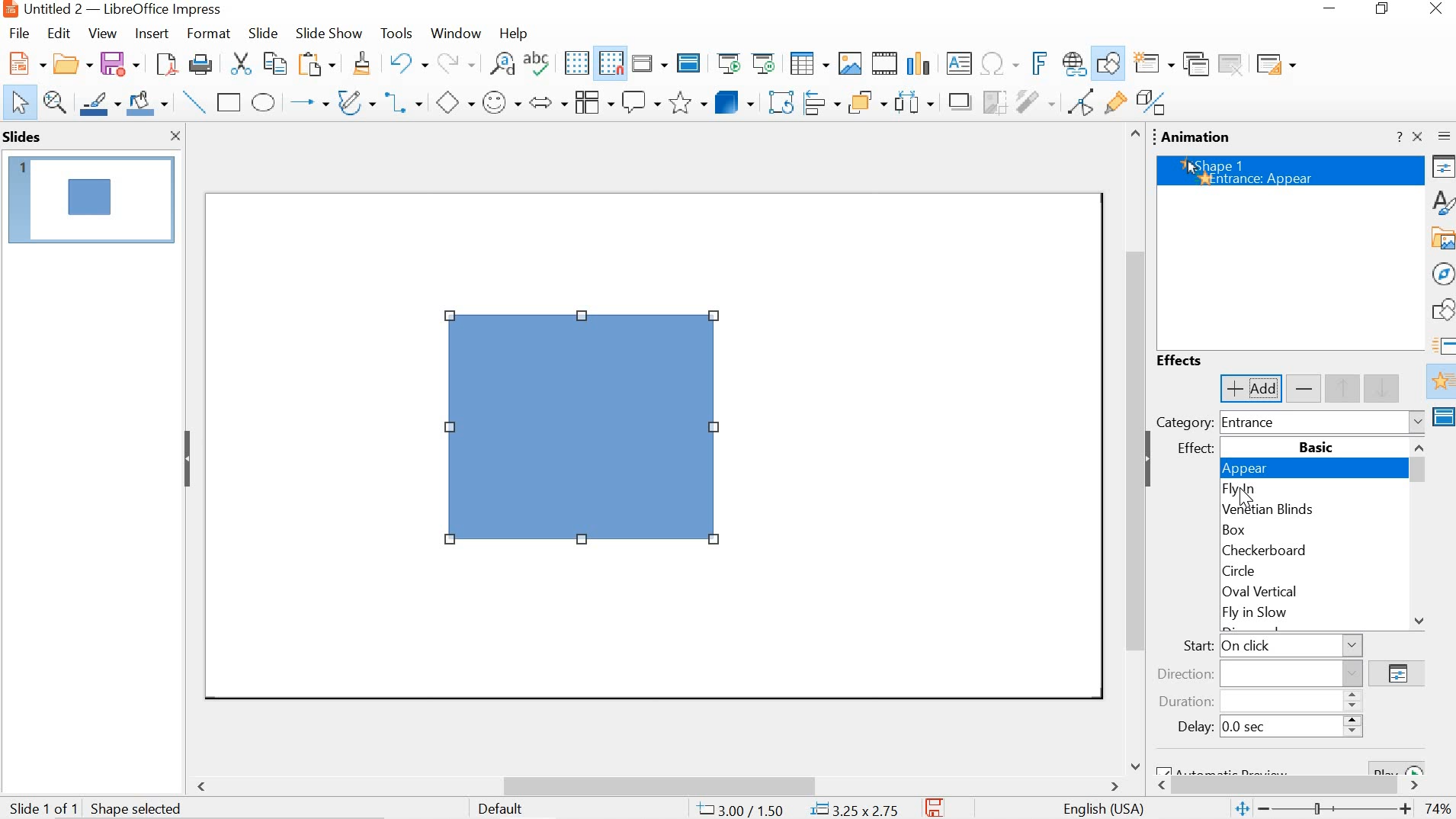 This screenshot has height=819, width=1456. What do you see at coordinates (328, 34) in the screenshot?
I see `slideshow` at bounding box center [328, 34].